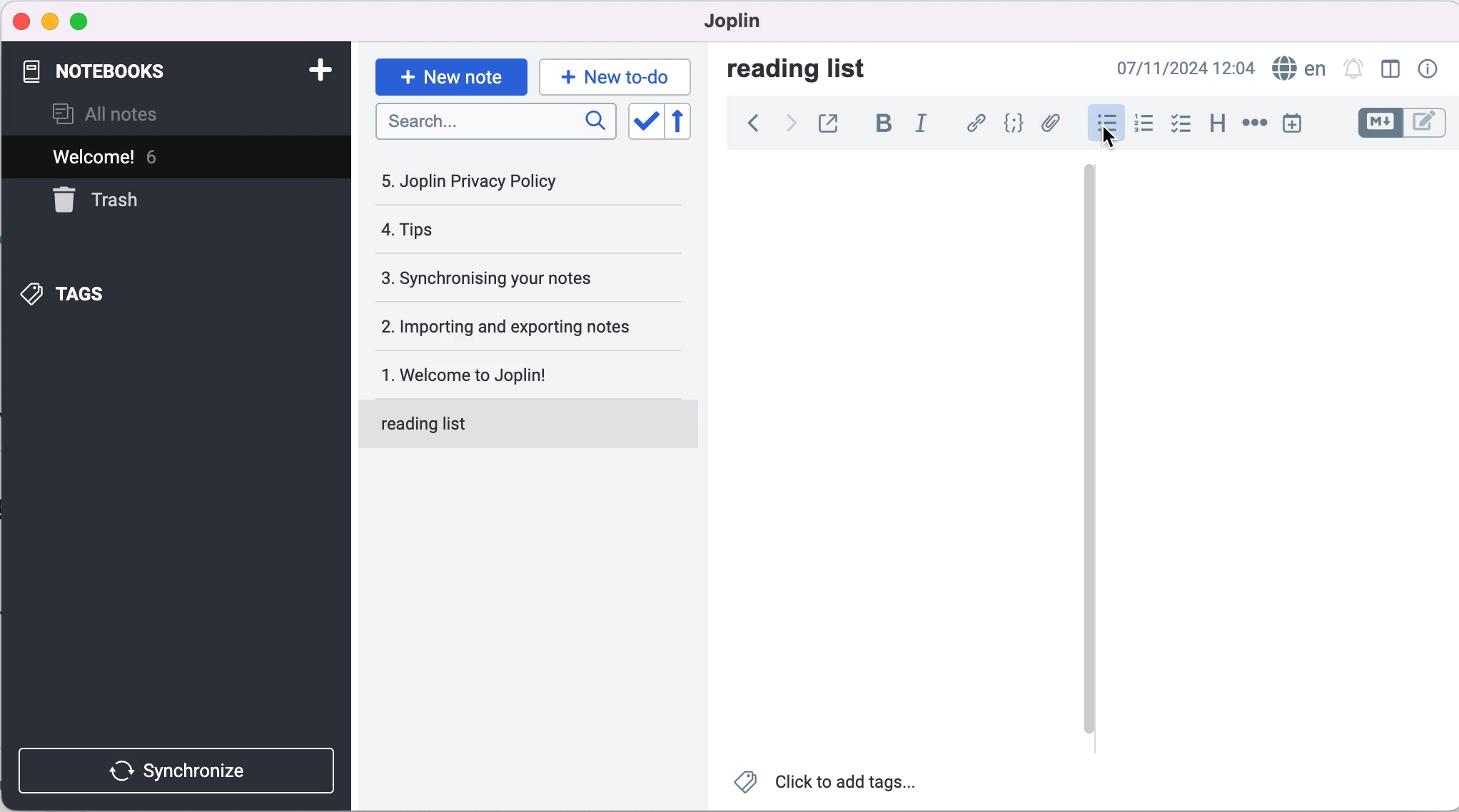  Describe the element at coordinates (142, 294) in the screenshot. I see `tags` at that location.